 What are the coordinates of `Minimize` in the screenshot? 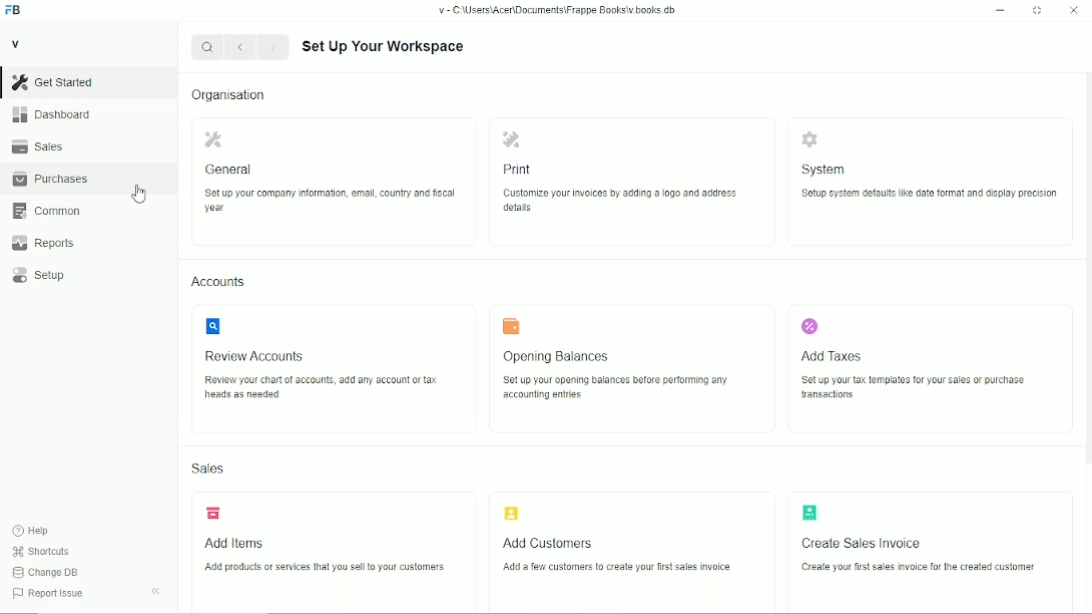 It's located at (1000, 10).